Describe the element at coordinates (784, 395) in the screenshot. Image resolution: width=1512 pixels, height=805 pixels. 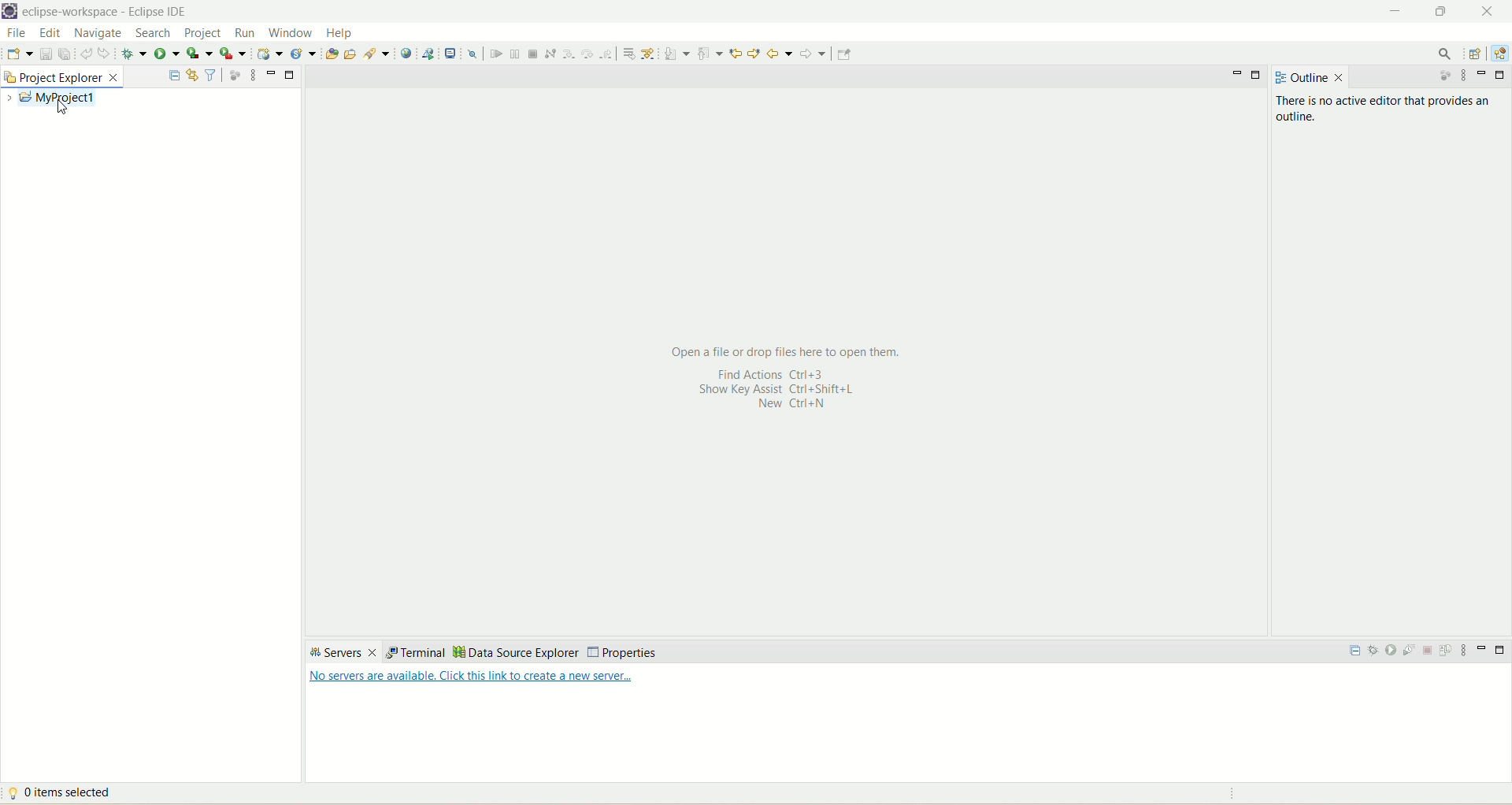
I see `shortcut key` at that location.